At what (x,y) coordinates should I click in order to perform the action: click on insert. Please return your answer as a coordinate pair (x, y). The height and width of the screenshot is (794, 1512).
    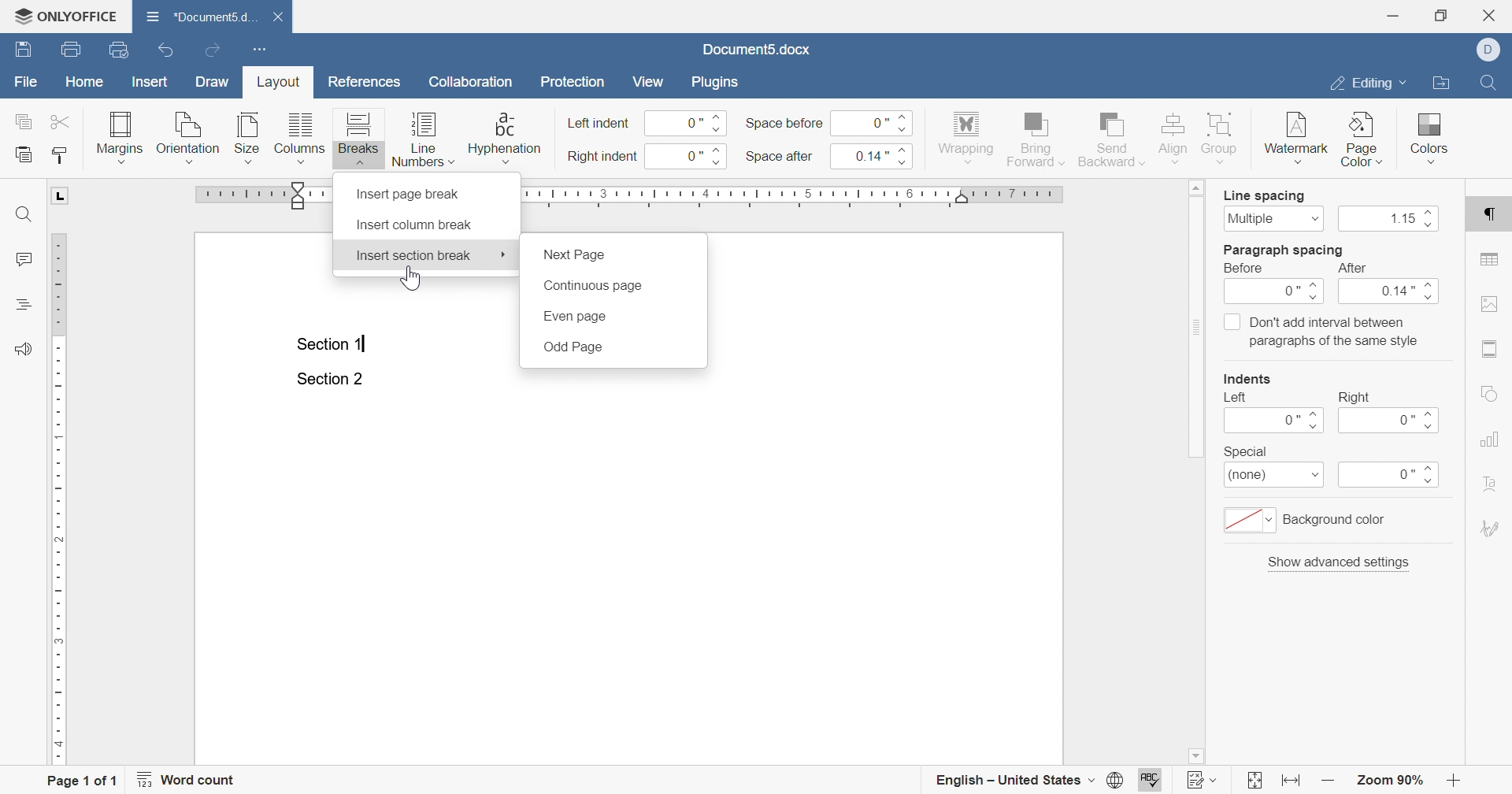
    Looking at the image, I should click on (151, 83).